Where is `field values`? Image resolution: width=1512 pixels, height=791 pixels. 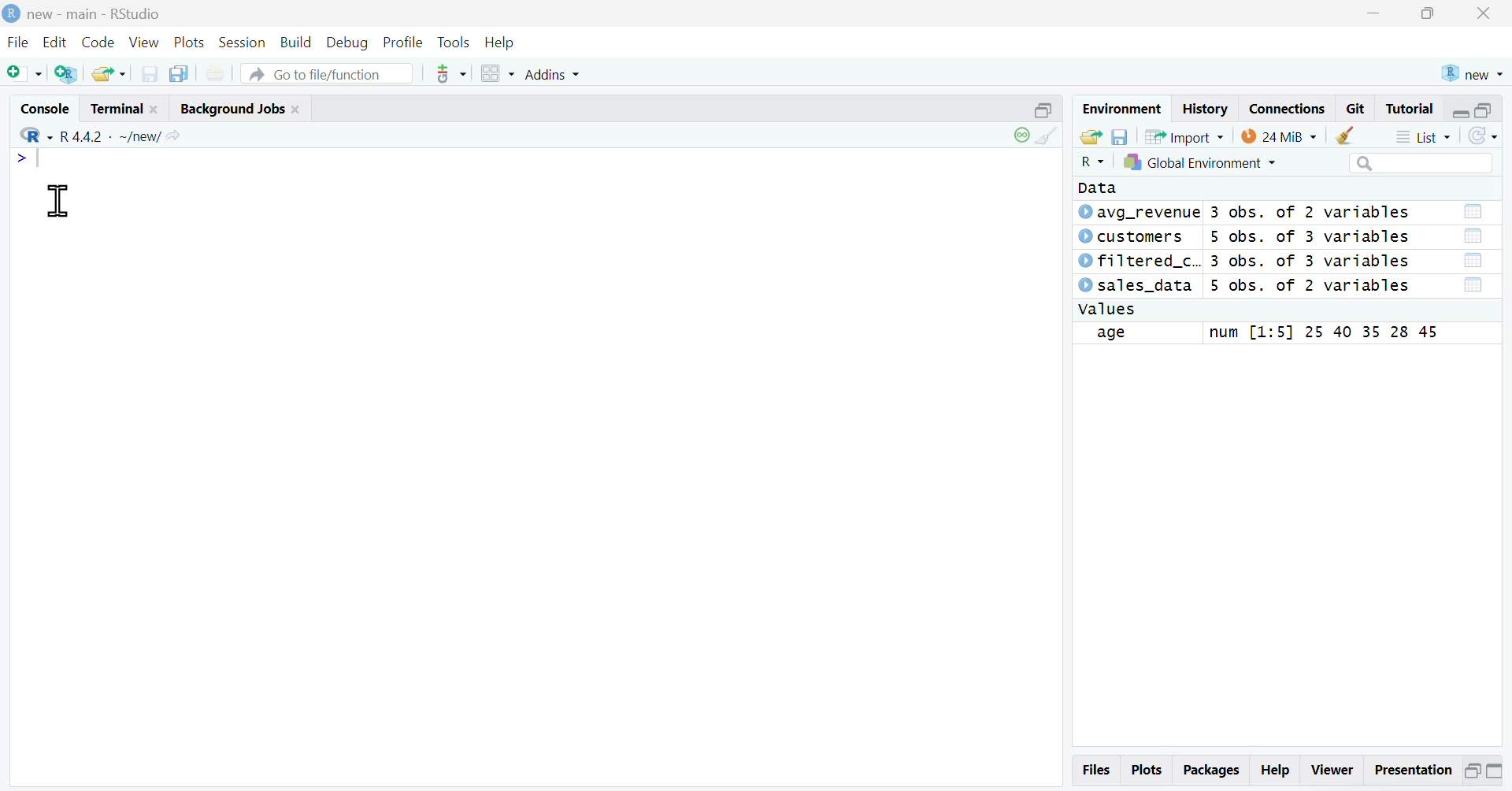 field values is located at coordinates (1320, 333).